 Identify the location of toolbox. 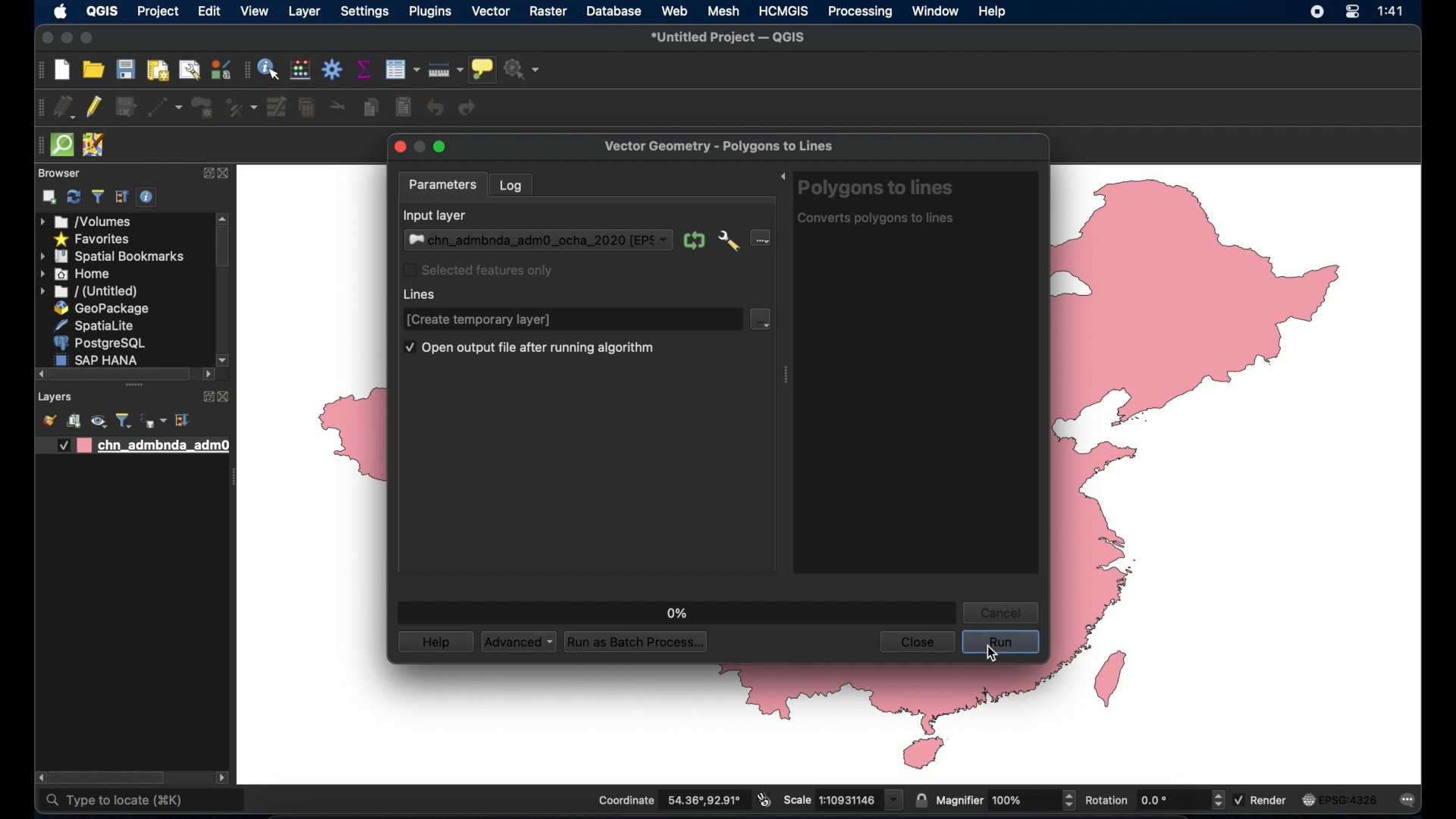
(333, 69).